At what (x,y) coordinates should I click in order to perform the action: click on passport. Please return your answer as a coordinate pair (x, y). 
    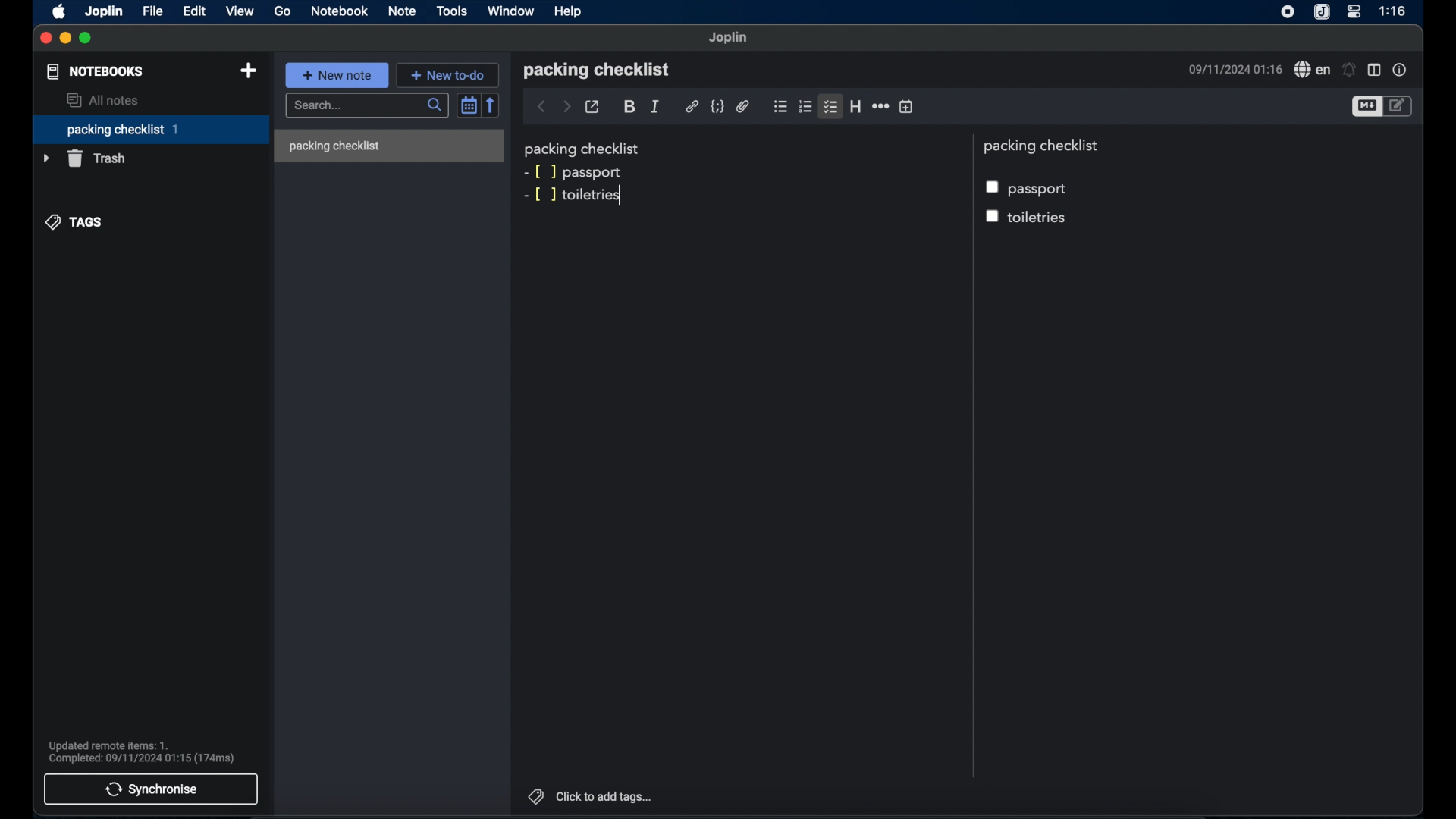
    Looking at the image, I should click on (595, 172).